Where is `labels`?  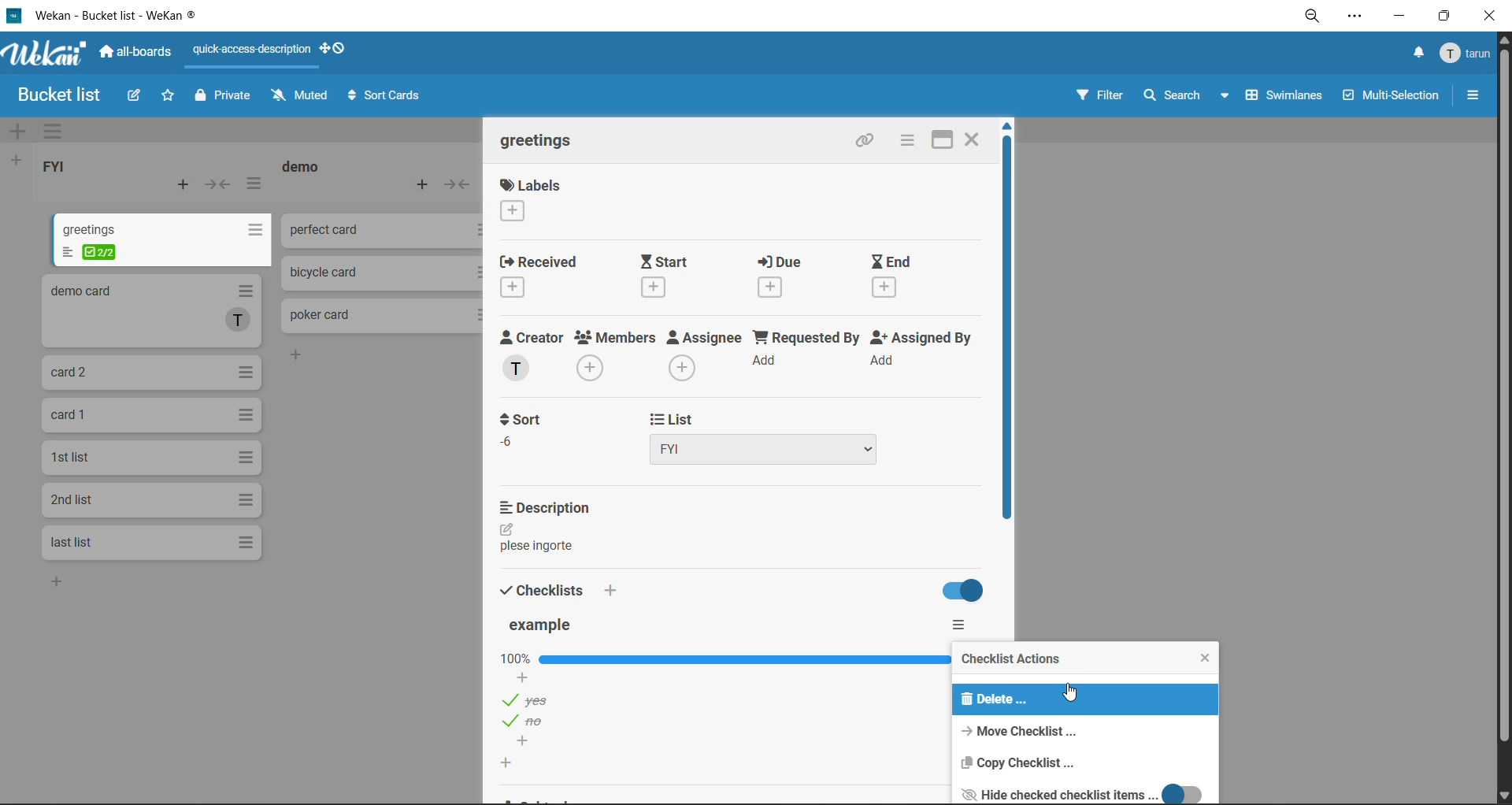 labels is located at coordinates (528, 200).